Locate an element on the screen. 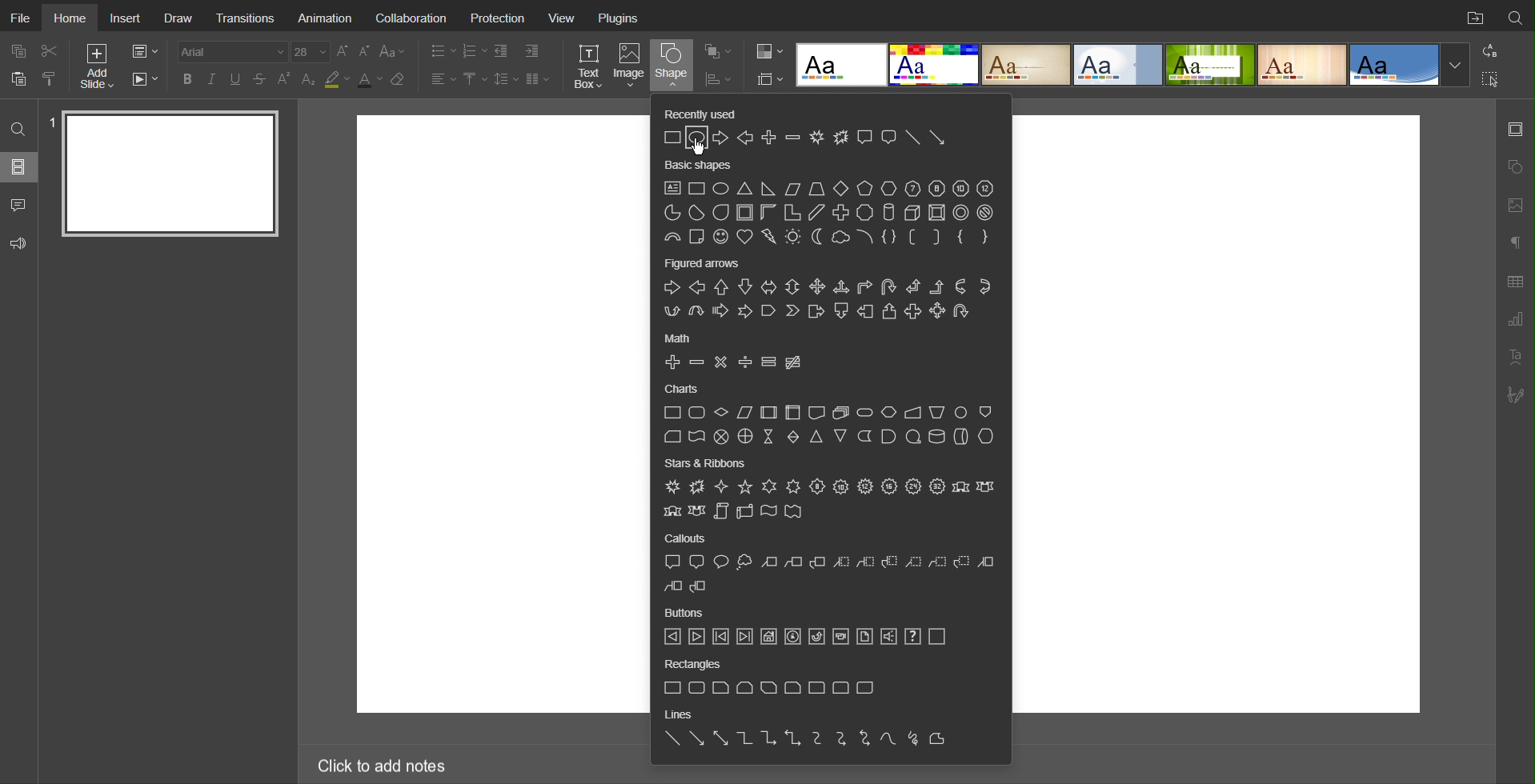  Paragraph Settings is located at coordinates (1515, 320).